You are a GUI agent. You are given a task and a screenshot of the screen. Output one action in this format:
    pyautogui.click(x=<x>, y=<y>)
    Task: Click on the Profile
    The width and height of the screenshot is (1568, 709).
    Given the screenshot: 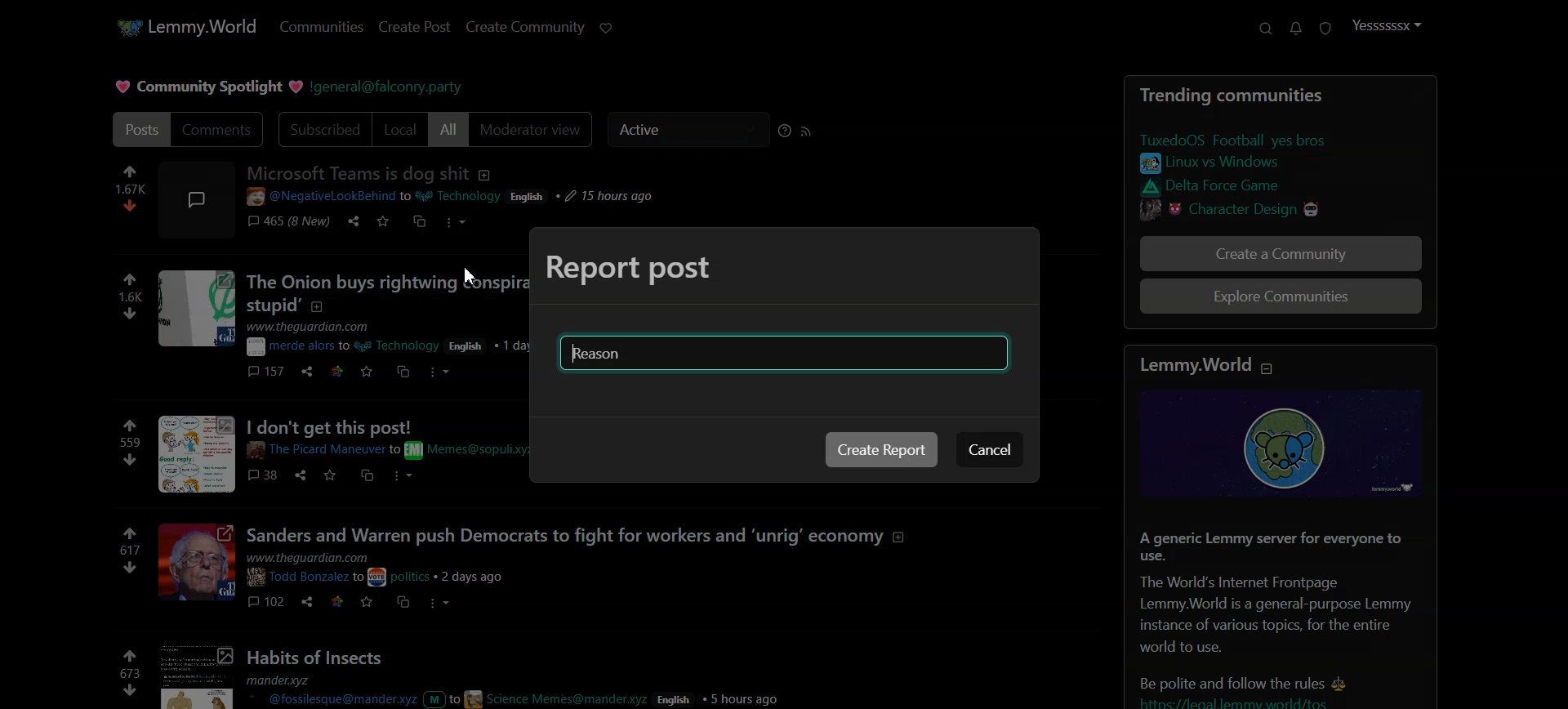 What is the action you would take?
    pyautogui.click(x=1387, y=25)
    